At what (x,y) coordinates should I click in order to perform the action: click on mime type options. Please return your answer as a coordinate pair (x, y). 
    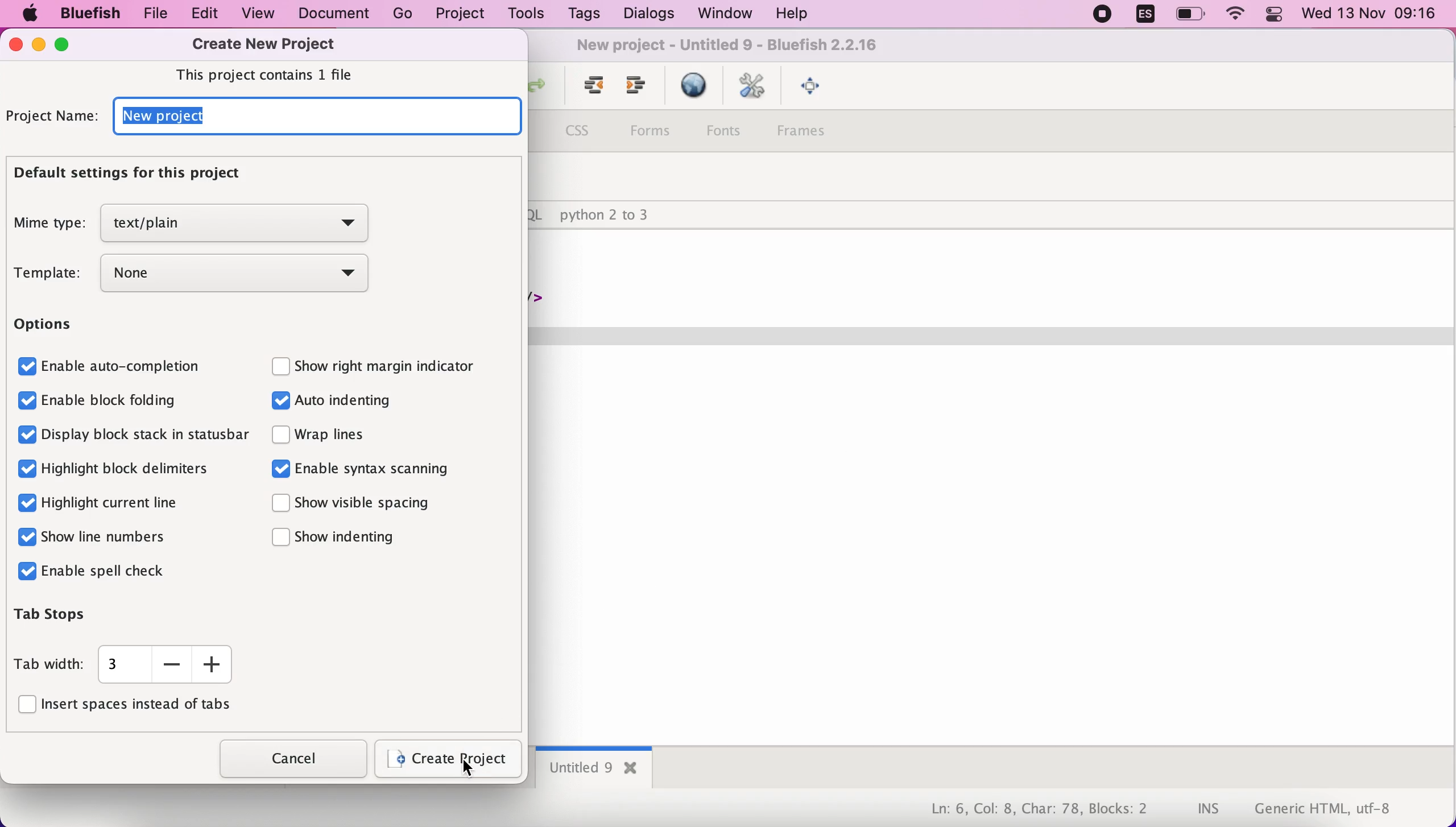
    Looking at the image, I should click on (238, 225).